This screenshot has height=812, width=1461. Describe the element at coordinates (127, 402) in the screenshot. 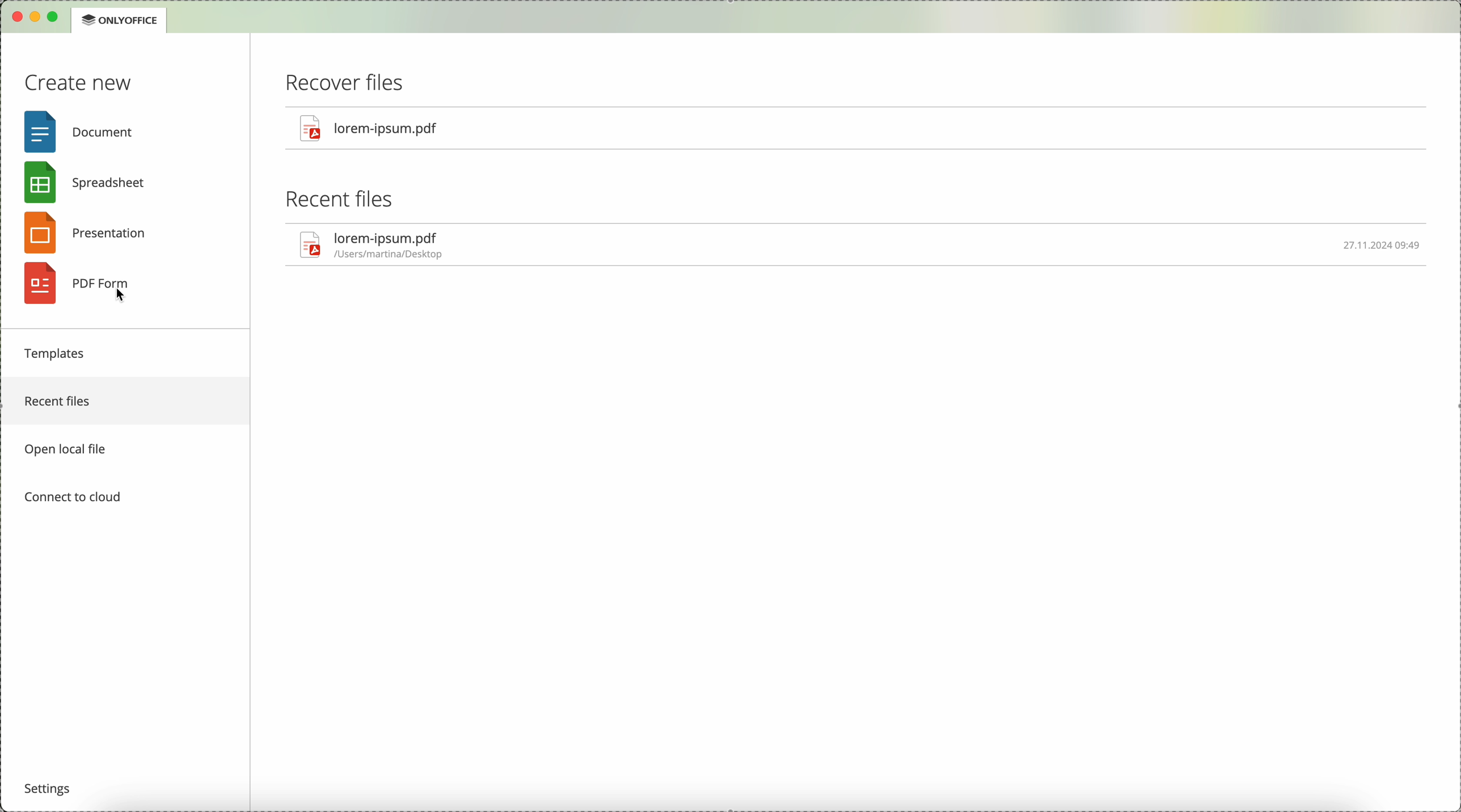

I see `recent files` at that location.